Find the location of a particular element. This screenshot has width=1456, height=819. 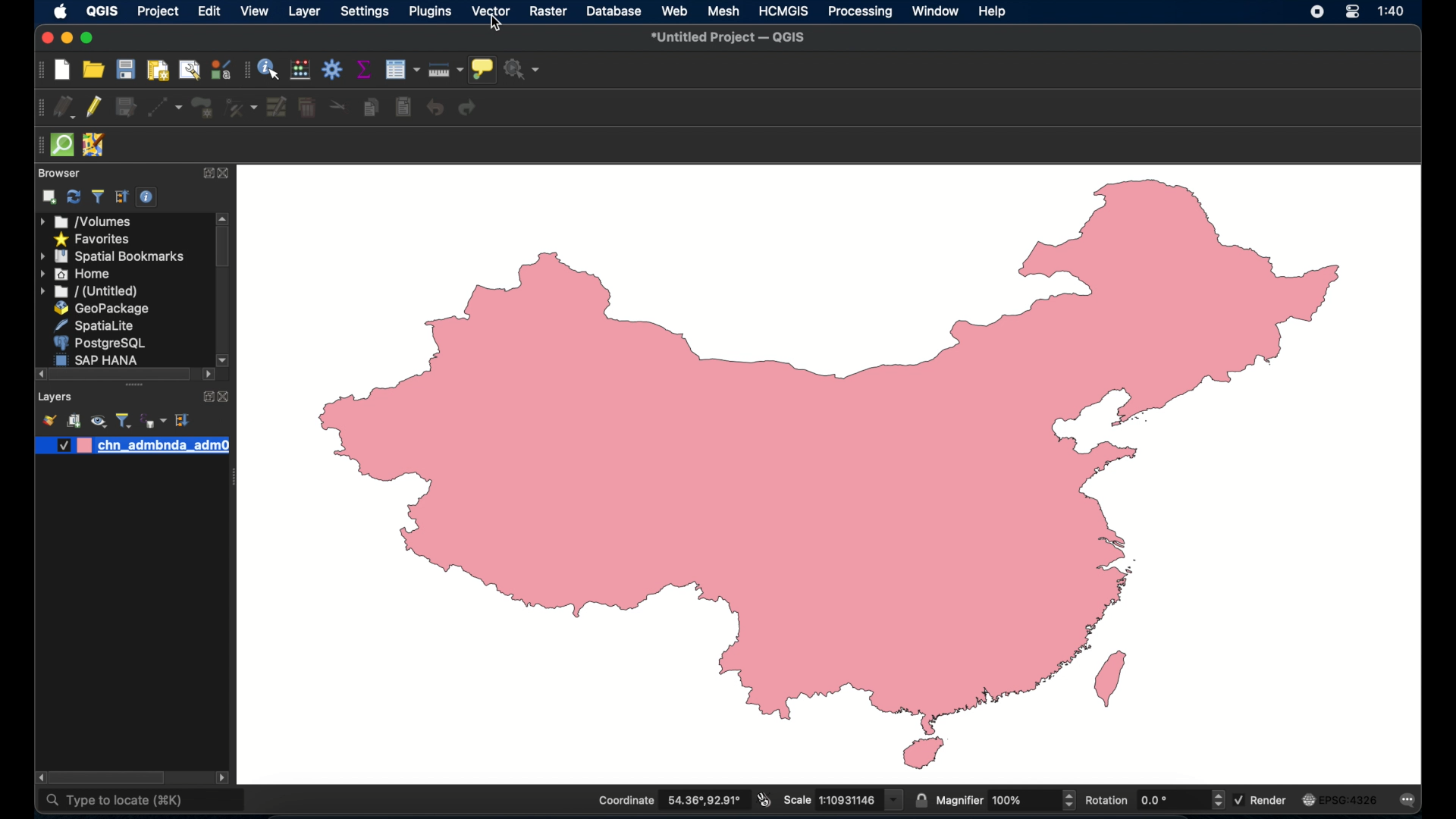

vector is located at coordinates (491, 12).